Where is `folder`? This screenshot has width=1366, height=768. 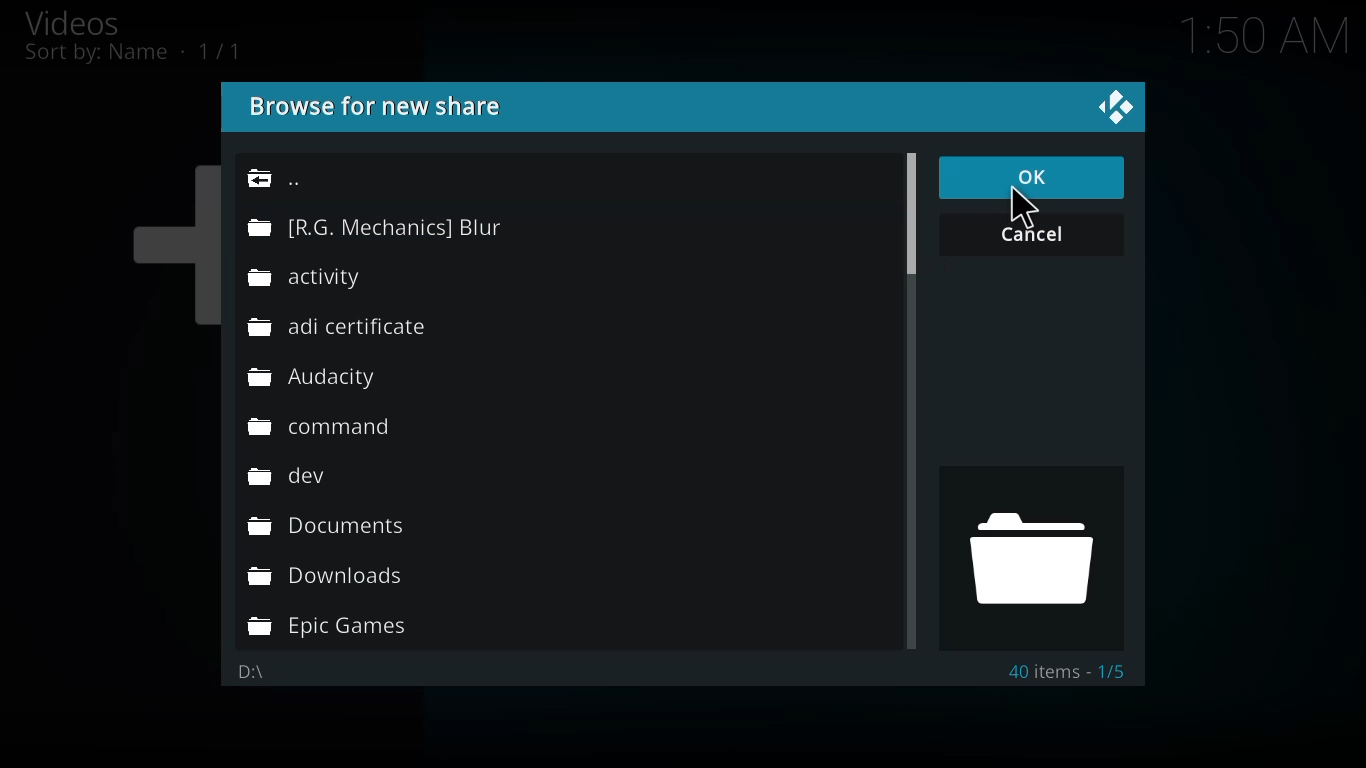
folder is located at coordinates (323, 573).